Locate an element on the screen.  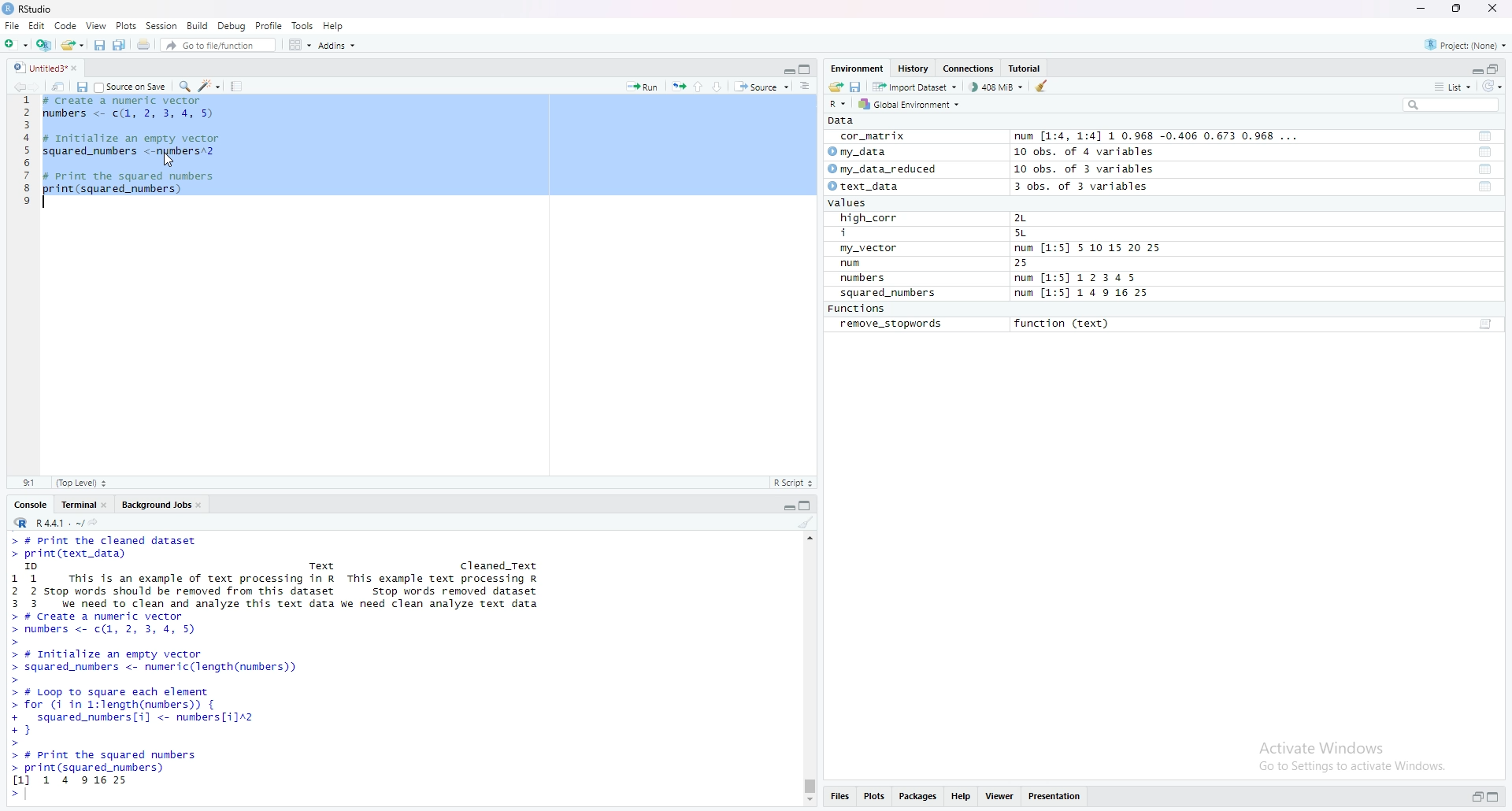
R Script is located at coordinates (793, 482).